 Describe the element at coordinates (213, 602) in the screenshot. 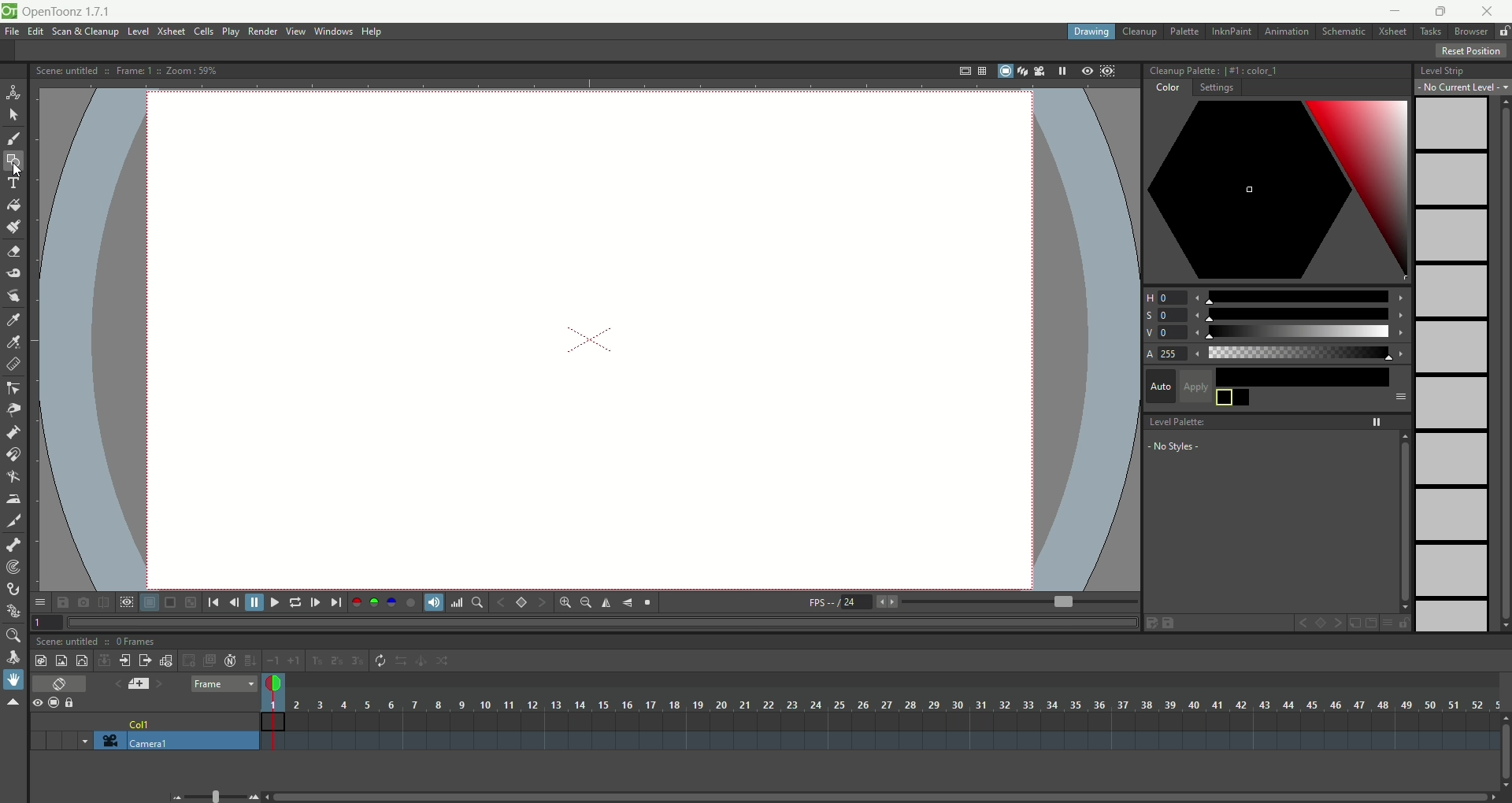

I see `first frame` at that location.